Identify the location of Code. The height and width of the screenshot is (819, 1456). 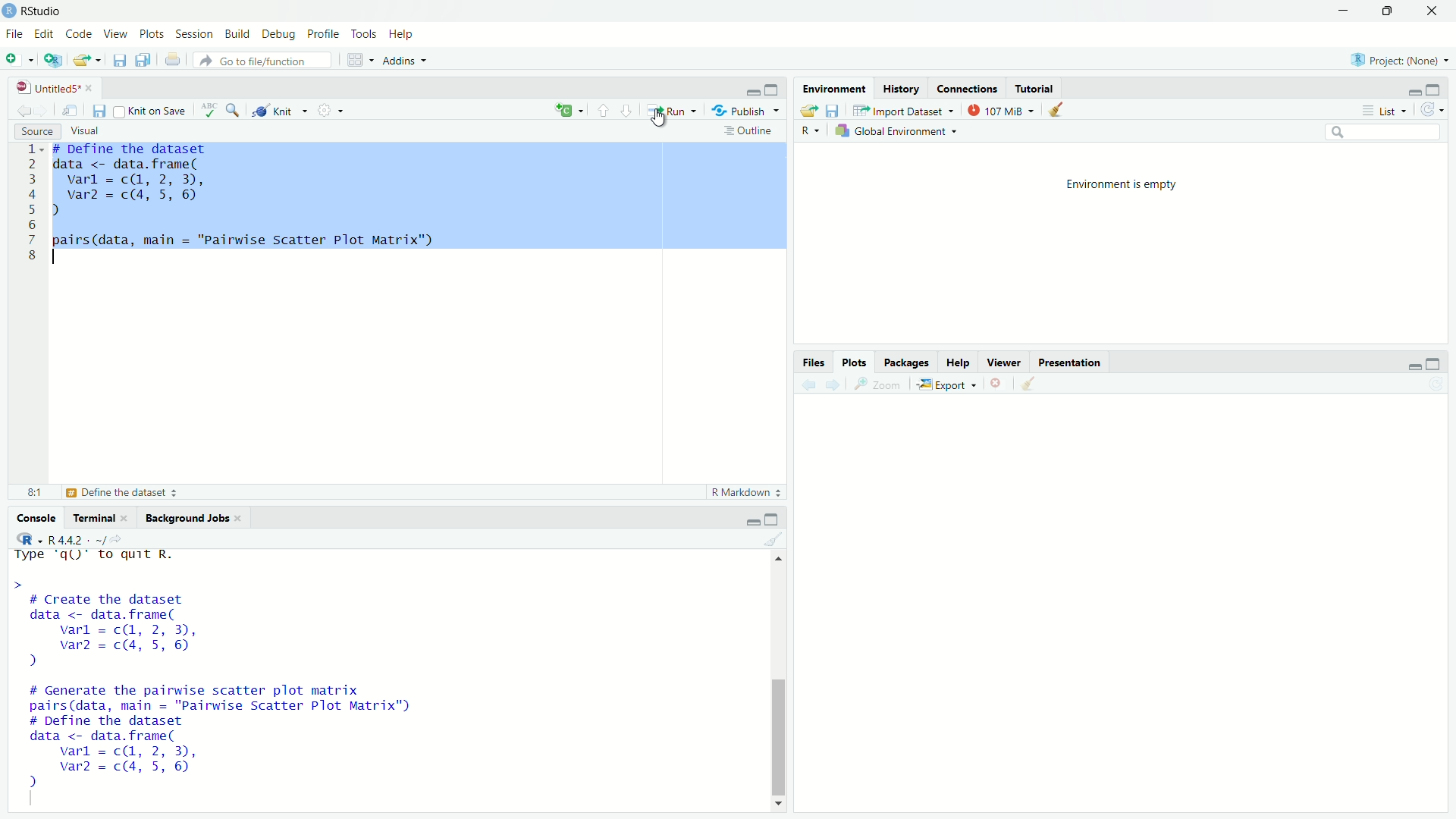
(79, 34).